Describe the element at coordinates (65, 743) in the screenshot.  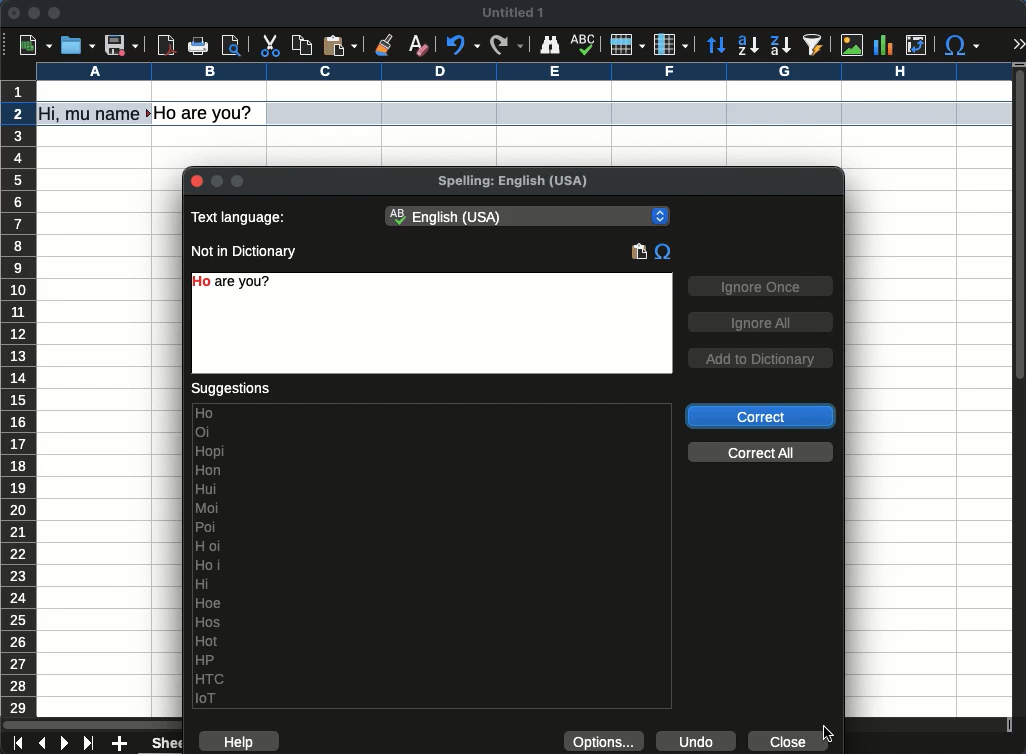
I see `next sheet` at that location.